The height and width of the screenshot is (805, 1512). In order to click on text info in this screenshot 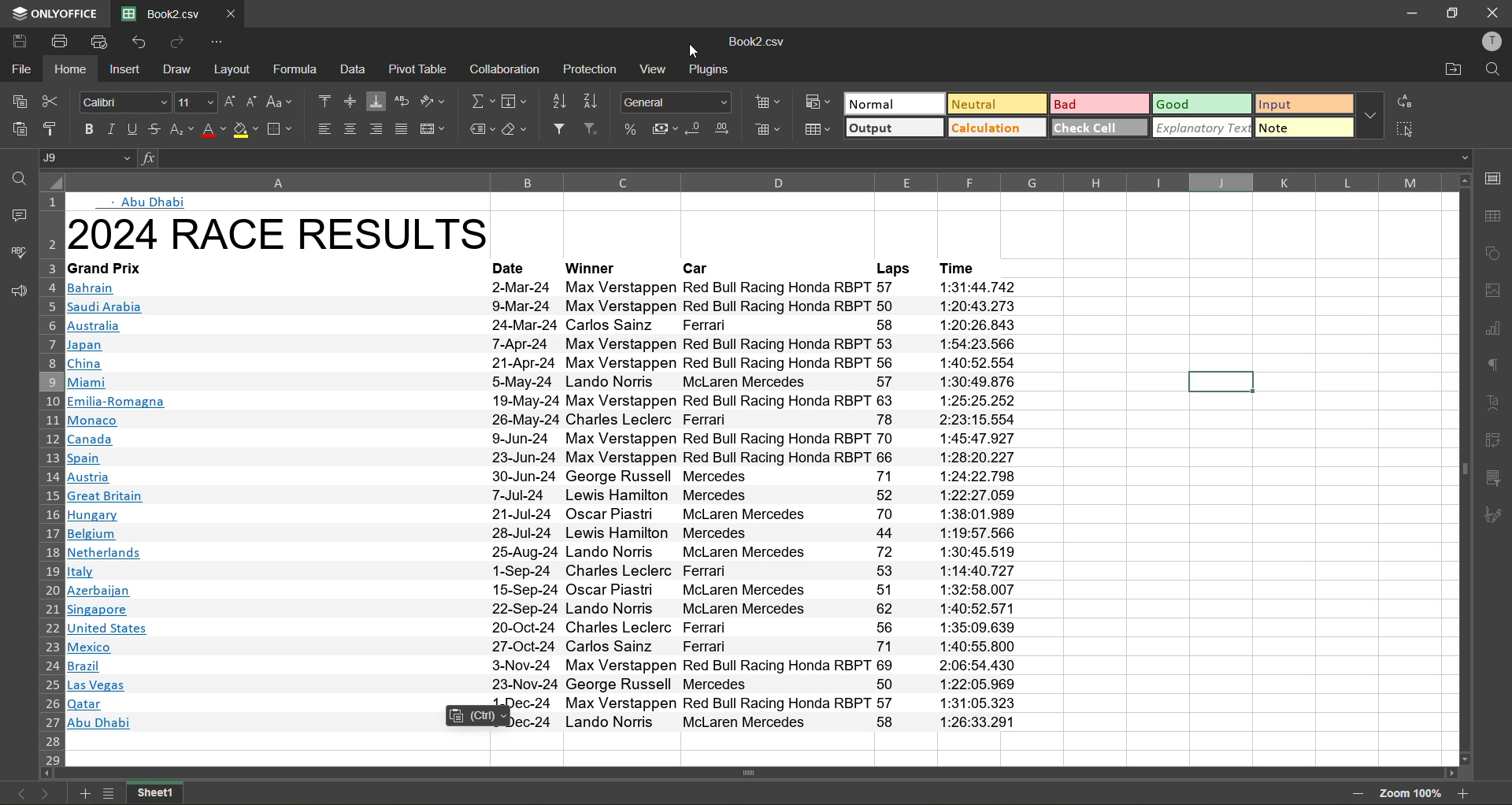, I will do `click(549, 629)`.